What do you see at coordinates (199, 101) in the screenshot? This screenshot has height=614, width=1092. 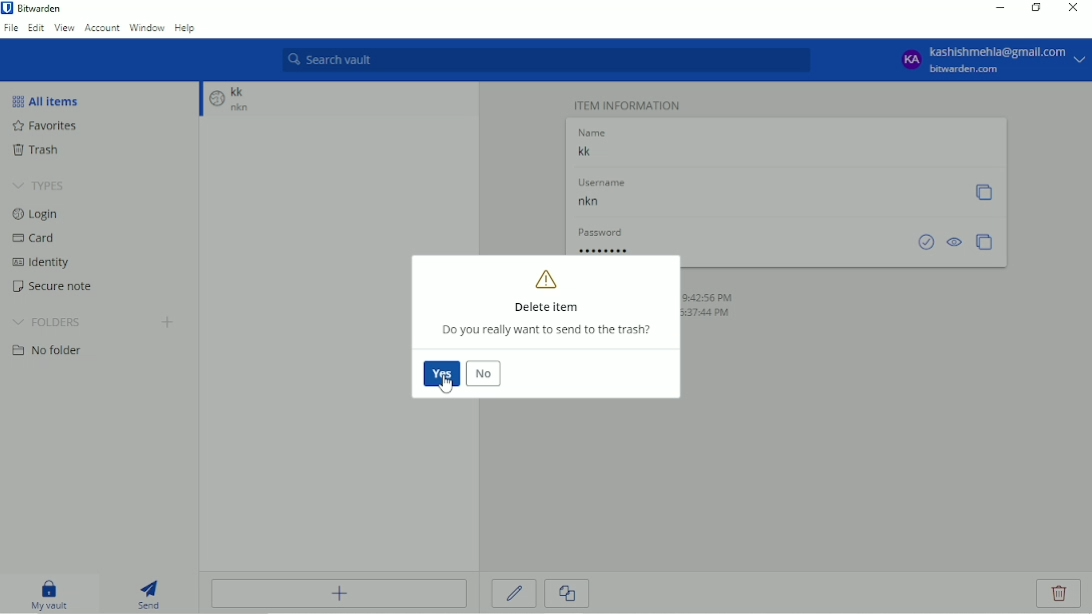 I see `scroll down` at bounding box center [199, 101].